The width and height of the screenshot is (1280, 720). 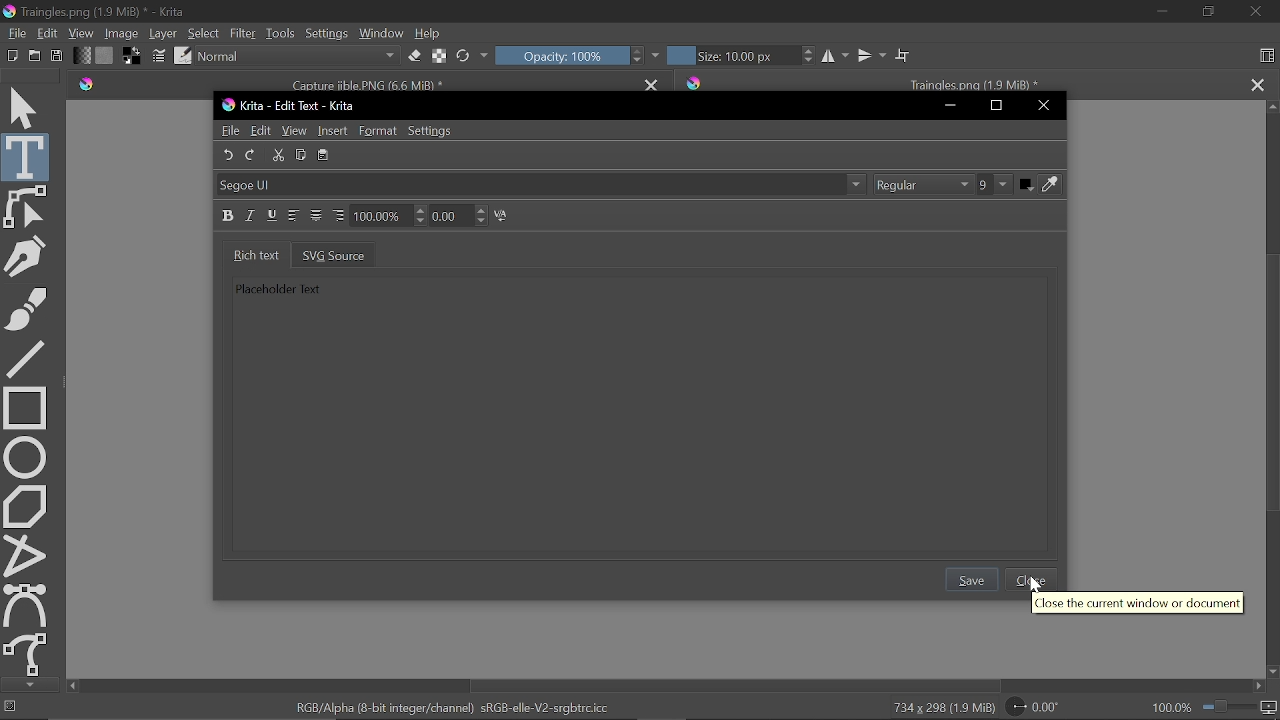 What do you see at coordinates (252, 254) in the screenshot?
I see `Rich text` at bounding box center [252, 254].